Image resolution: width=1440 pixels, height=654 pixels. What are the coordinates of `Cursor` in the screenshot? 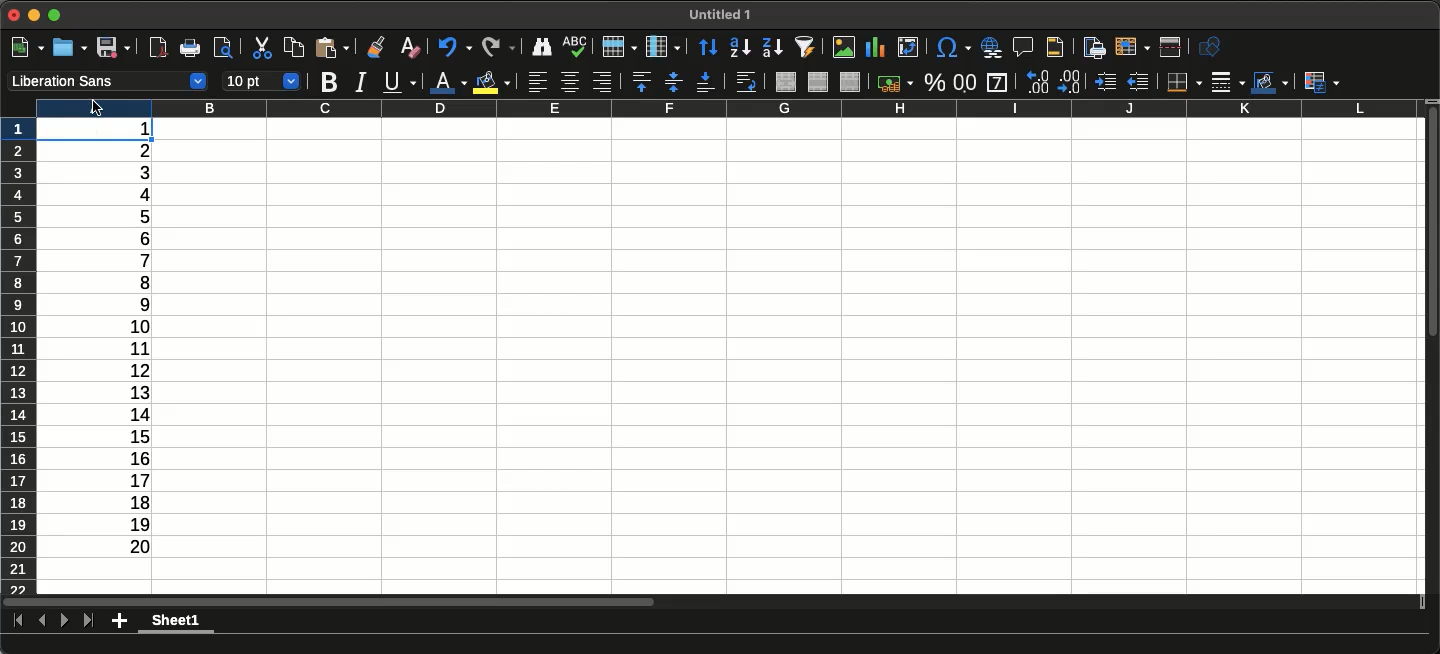 It's located at (96, 107).